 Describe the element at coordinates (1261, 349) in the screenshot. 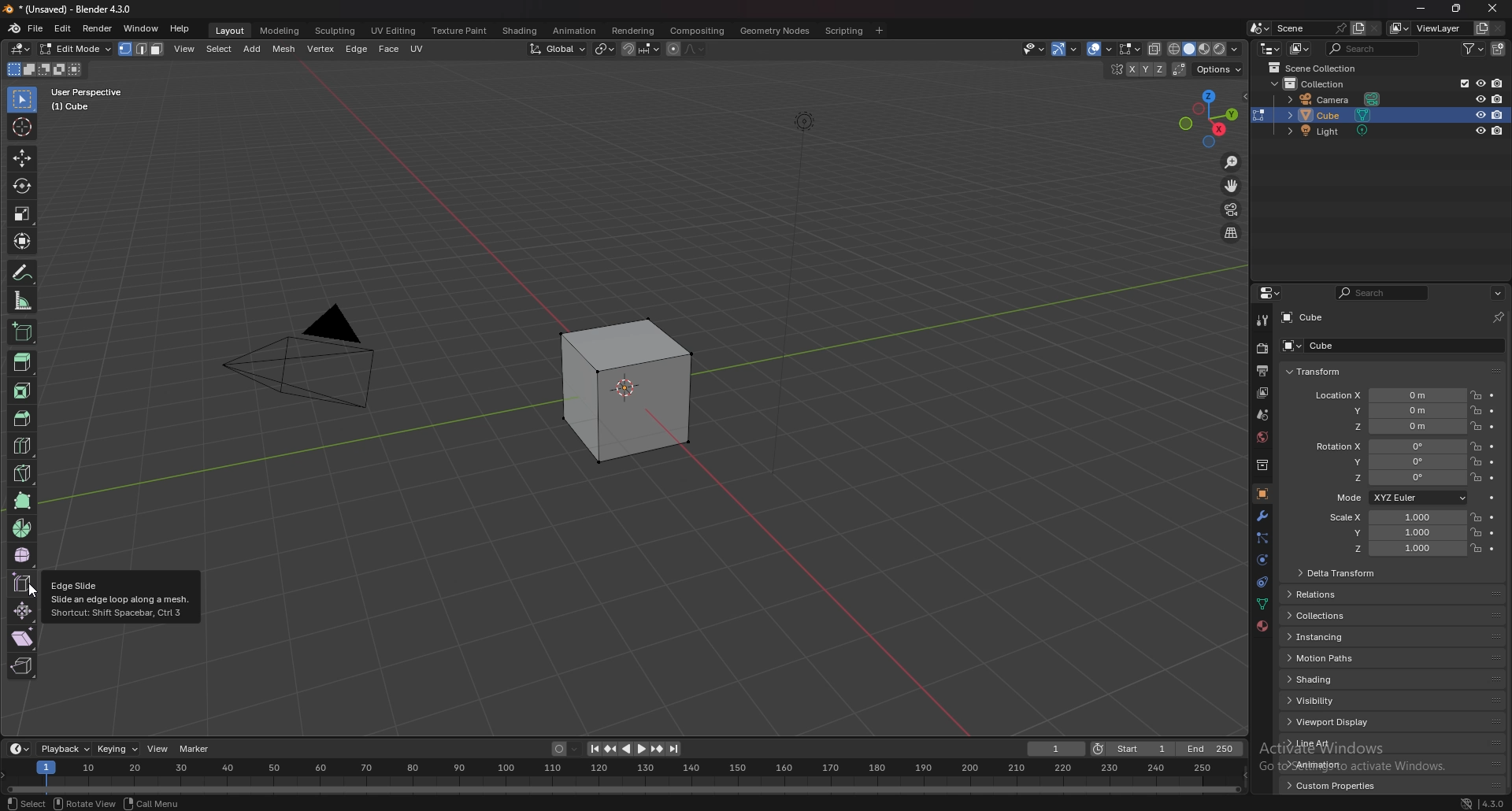

I see `render` at that location.